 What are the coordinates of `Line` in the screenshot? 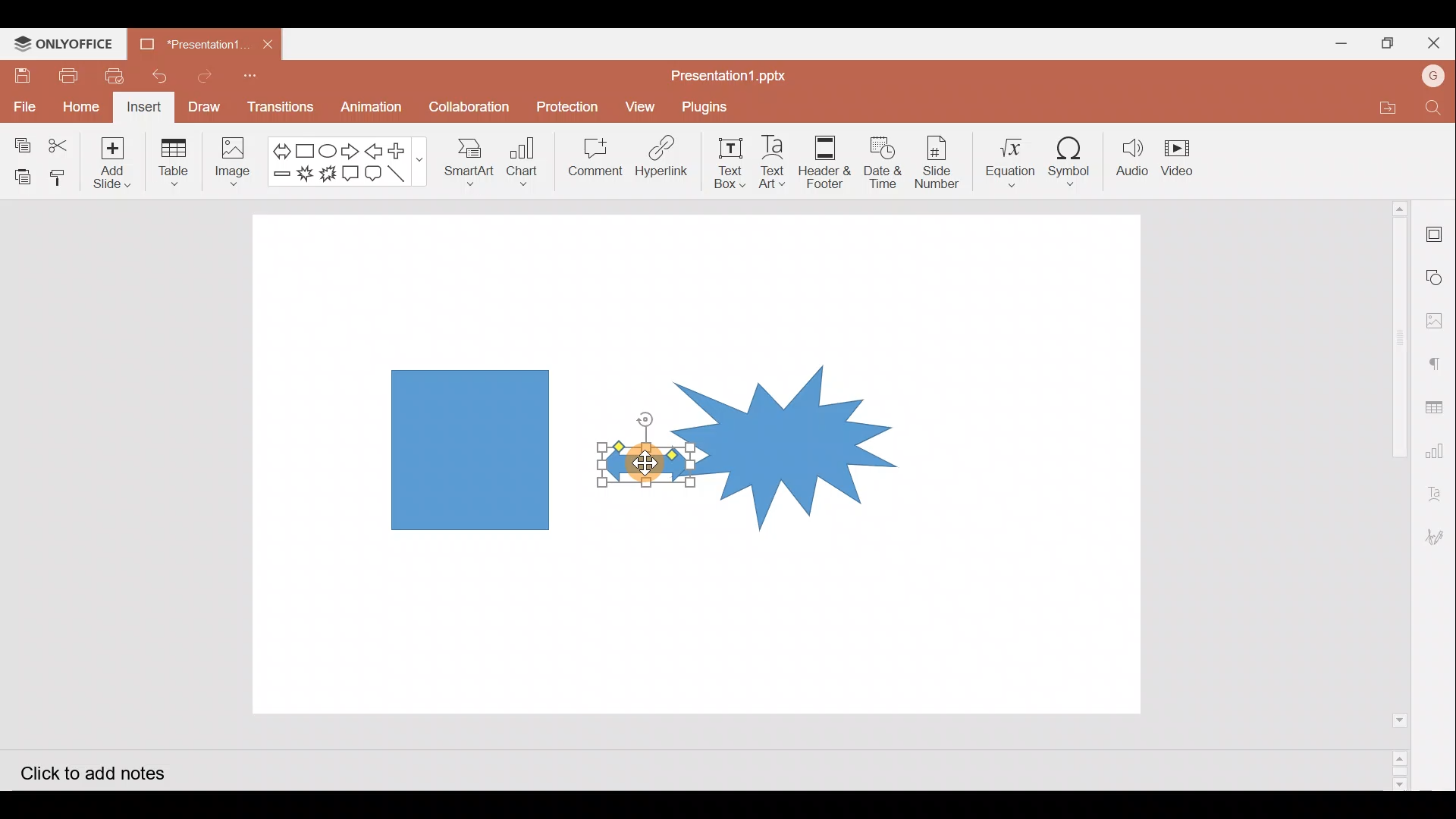 It's located at (401, 172).